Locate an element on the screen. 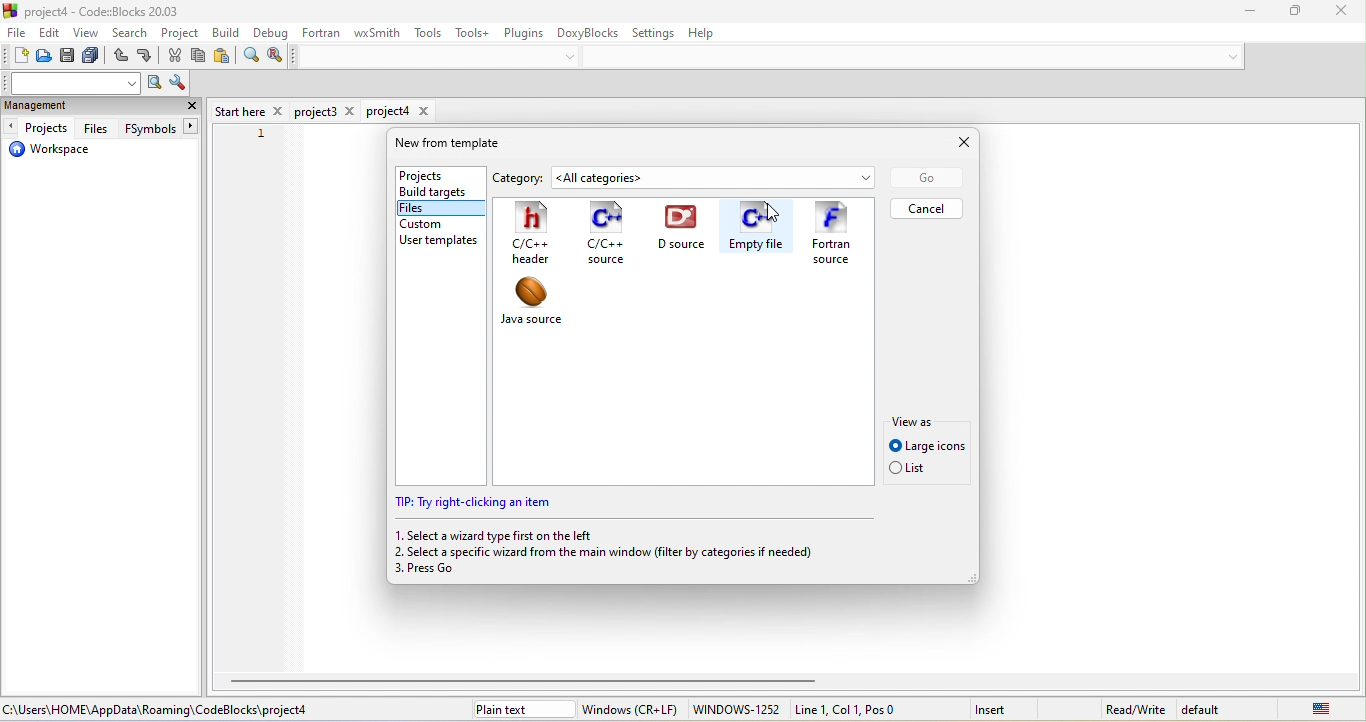 The height and width of the screenshot is (722, 1366). close is located at coordinates (192, 108).